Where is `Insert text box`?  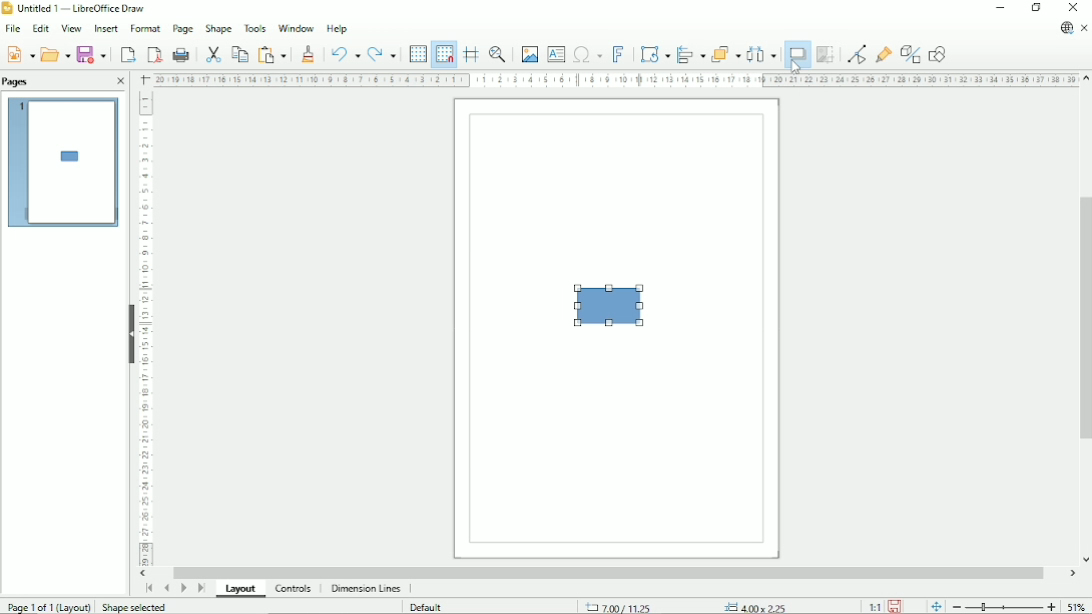 Insert text box is located at coordinates (555, 54).